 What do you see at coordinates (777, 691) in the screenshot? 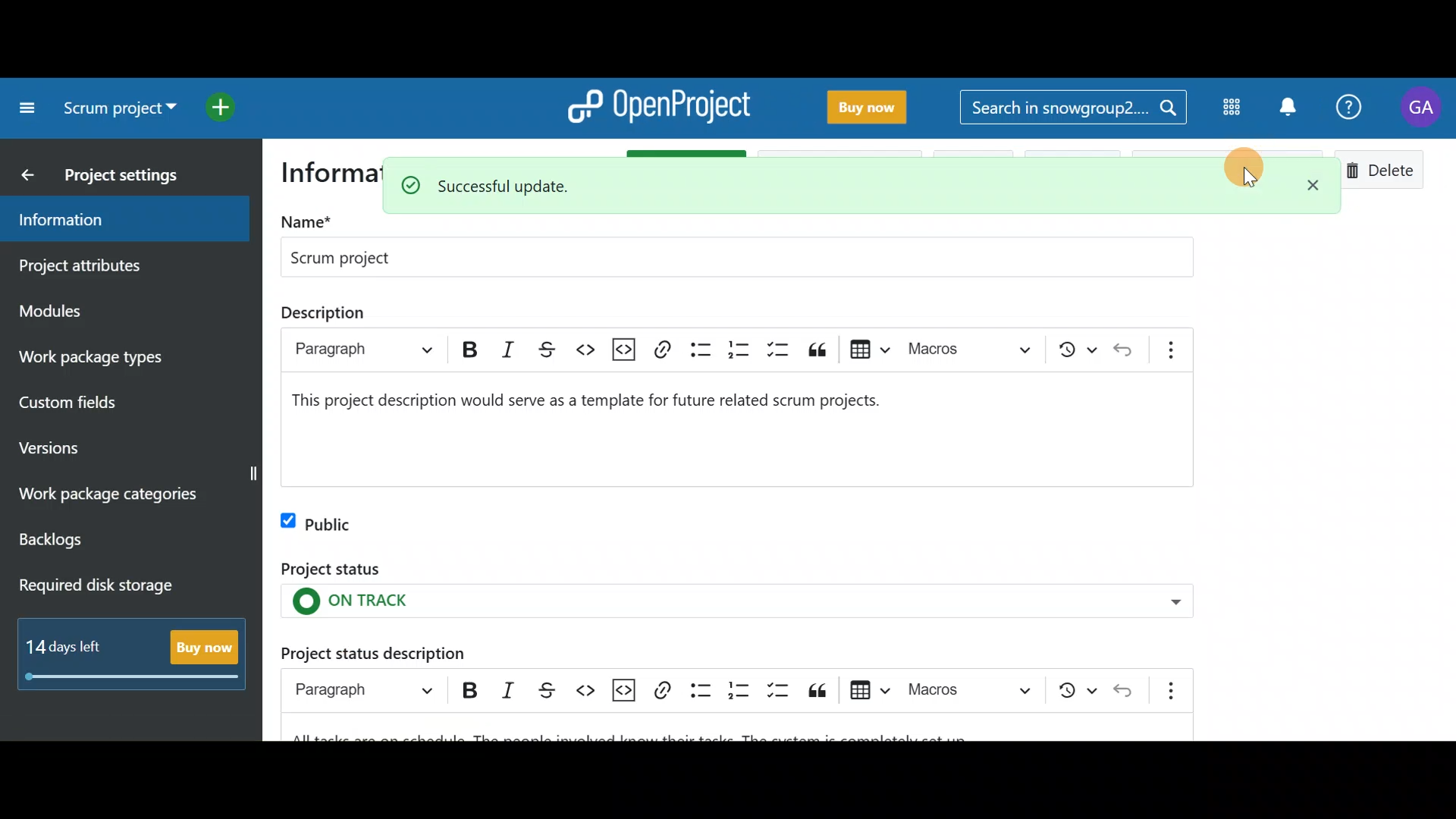
I see `To-do list` at bounding box center [777, 691].